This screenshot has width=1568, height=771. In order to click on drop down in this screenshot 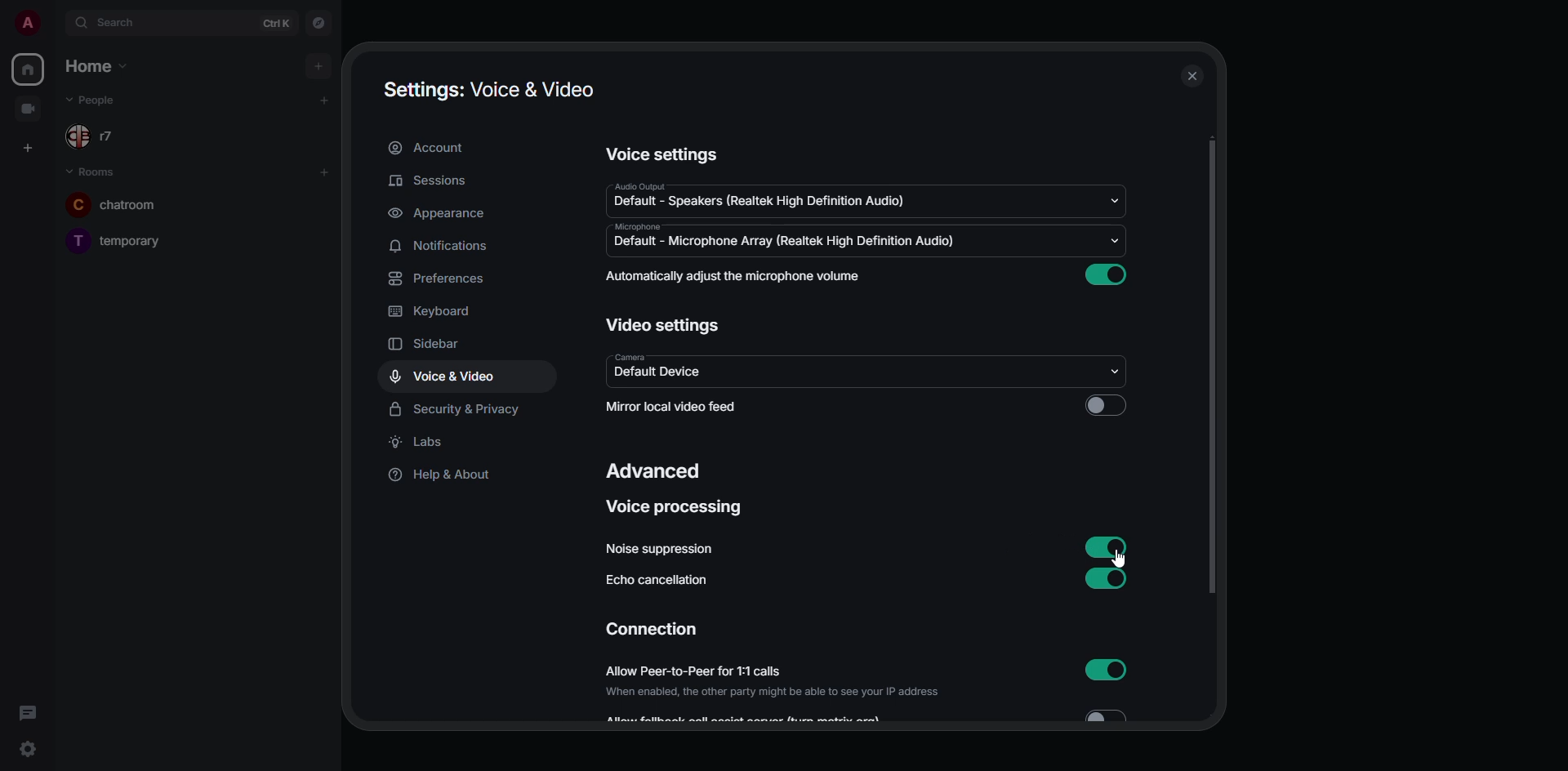, I will do `click(1111, 241)`.